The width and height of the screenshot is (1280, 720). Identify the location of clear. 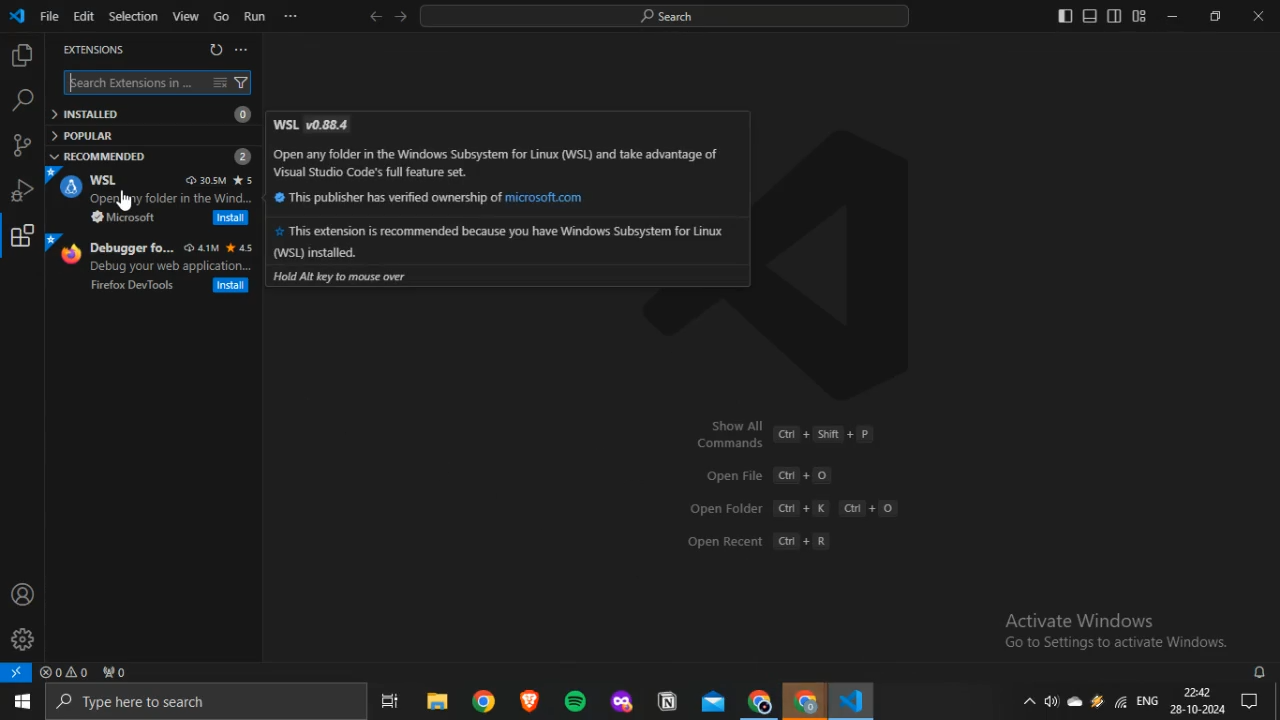
(219, 82).